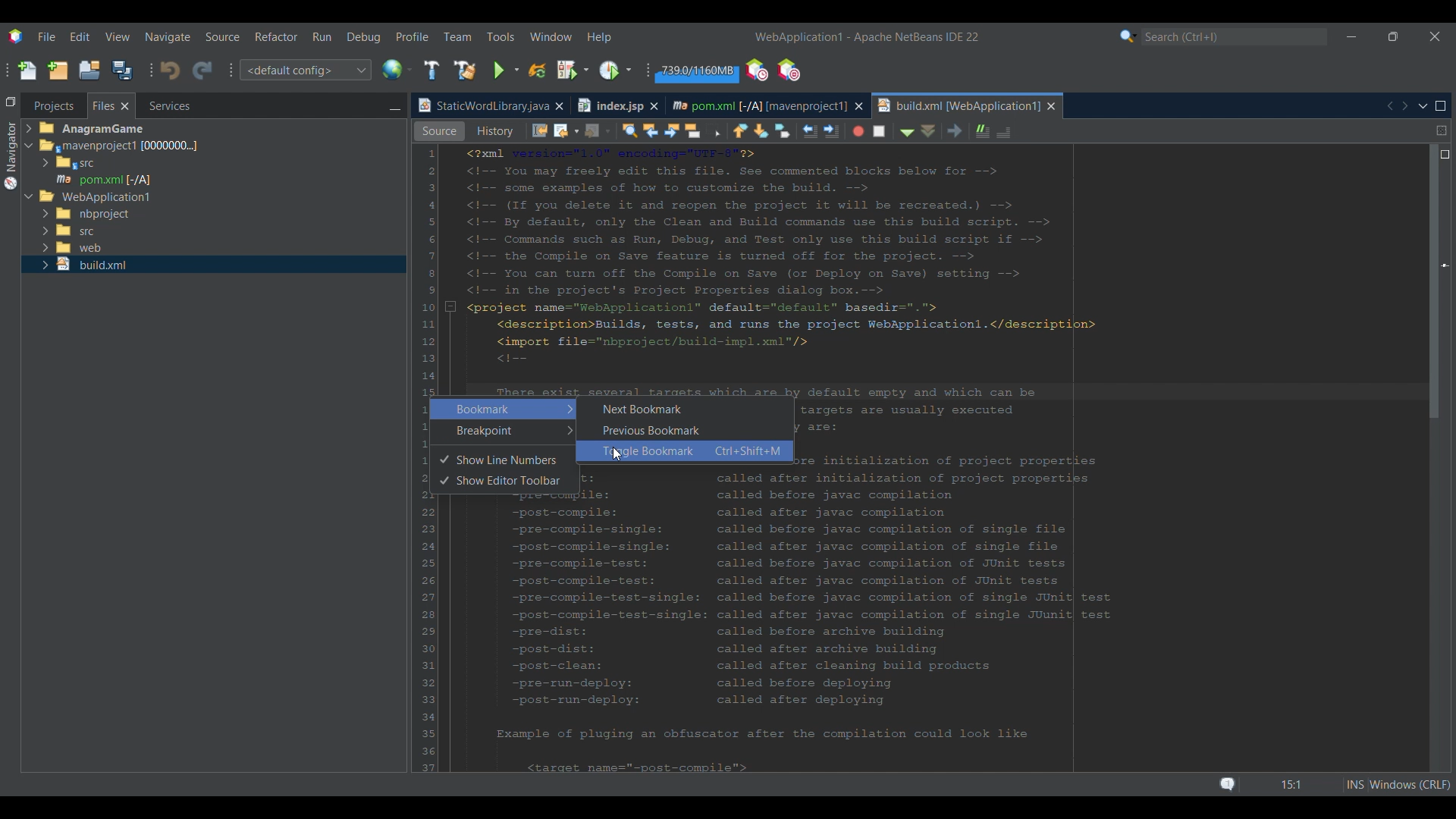 The height and width of the screenshot is (819, 1456). What do you see at coordinates (431, 70) in the screenshot?
I see `Build main project` at bounding box center [431, 70].